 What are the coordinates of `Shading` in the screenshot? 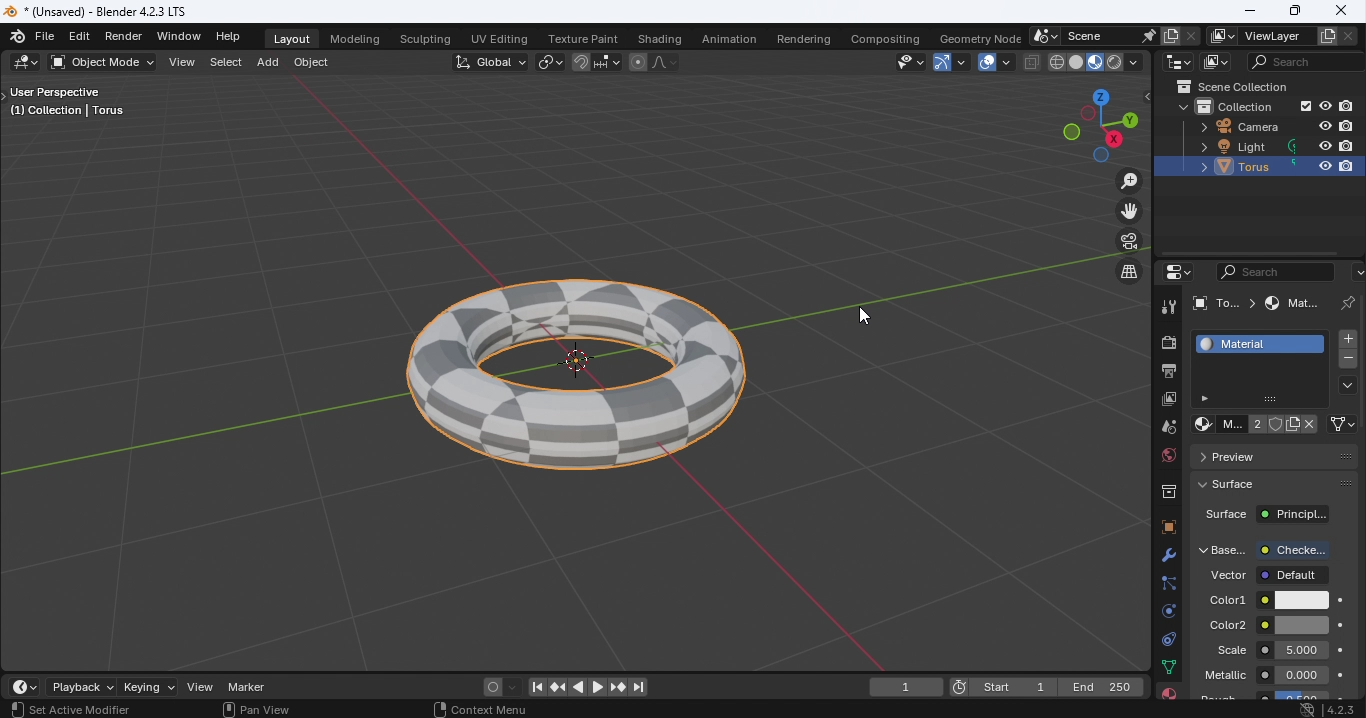 It's located at (1135, 60).